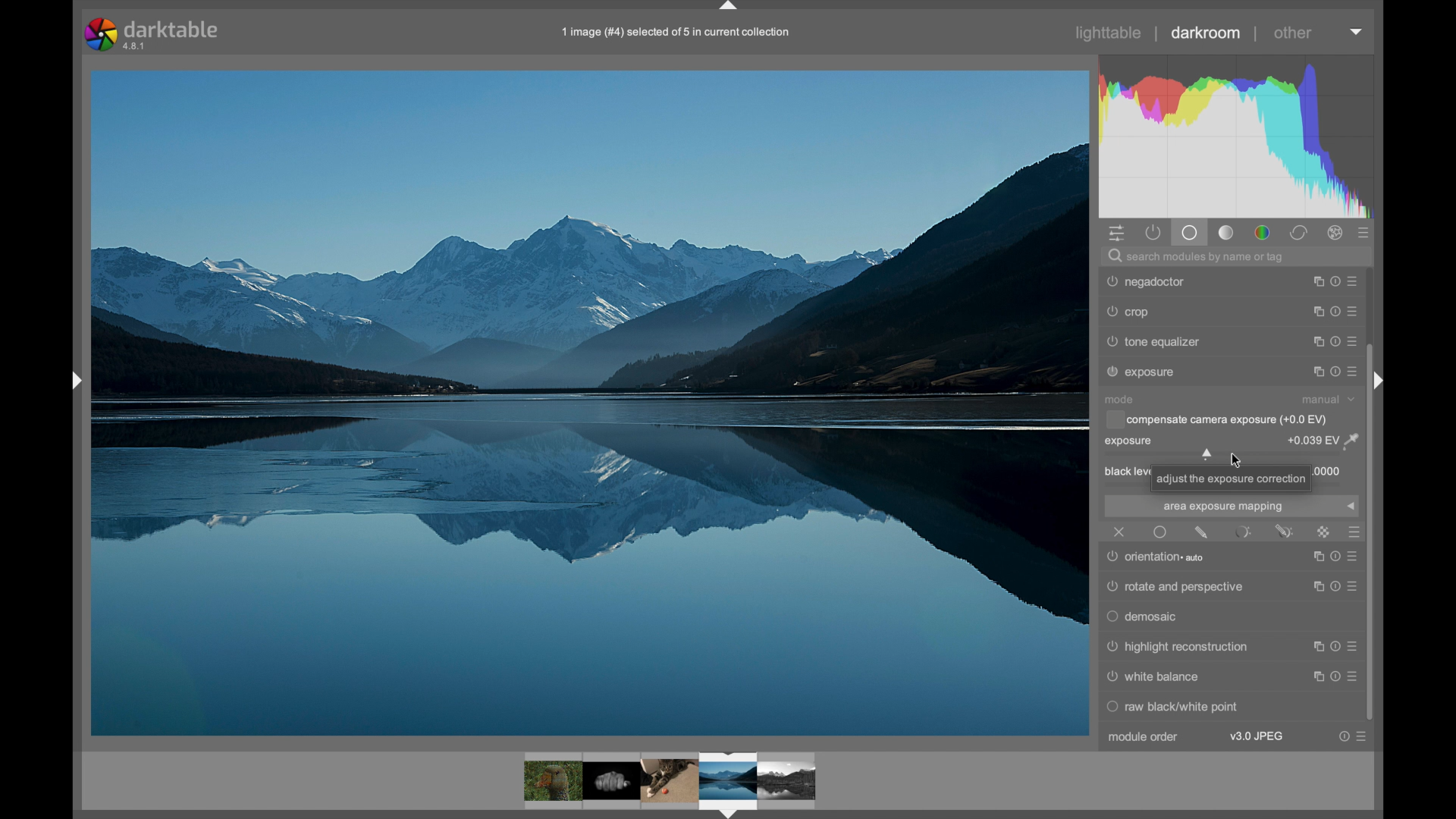 This screenshot has width=1456, height=819. I want to click on raw black/white point, so click(1175, 708).